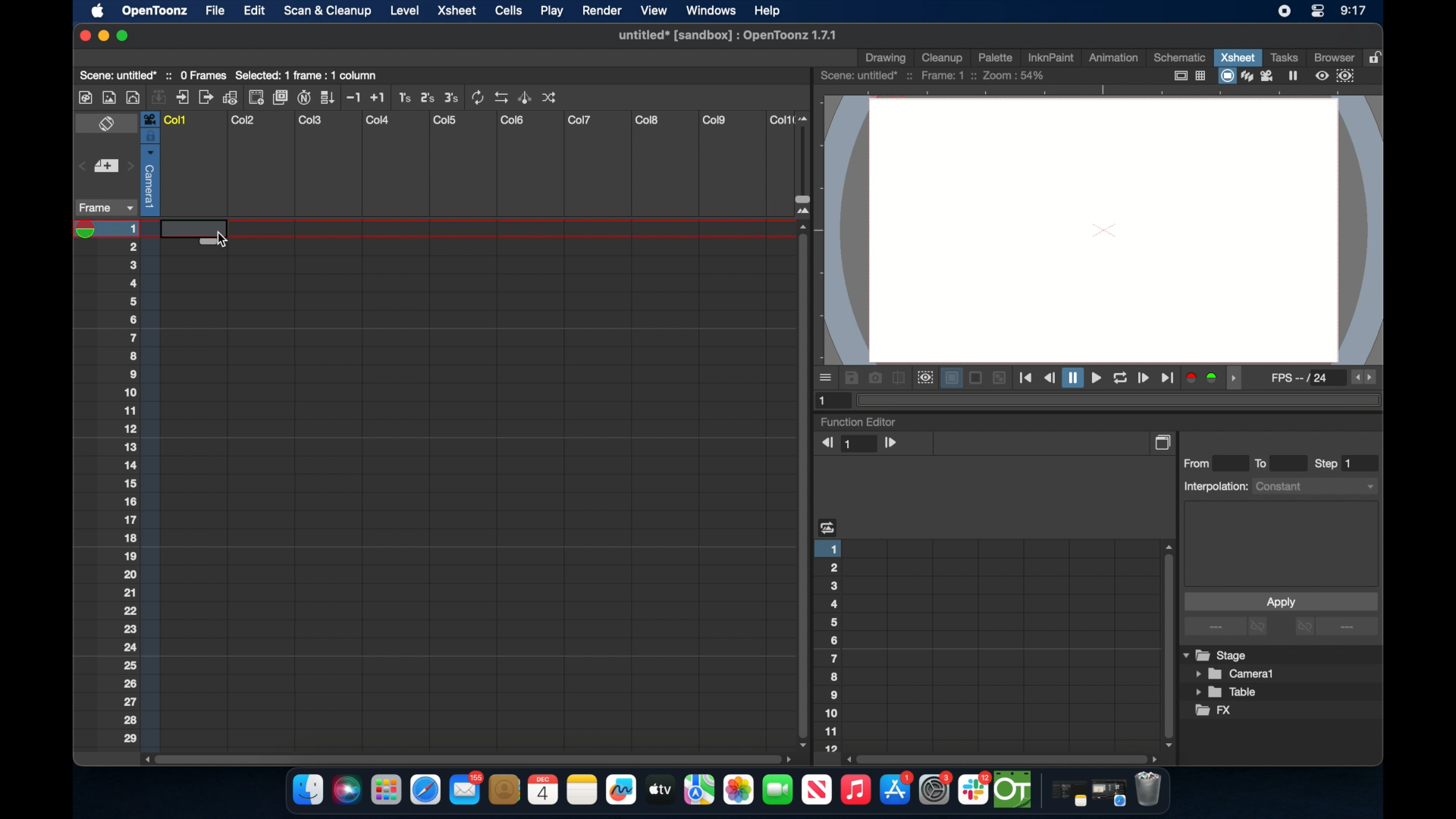  Describe the element at coordinates (831, 645) in the screenshot. I see `numbering` at that location.